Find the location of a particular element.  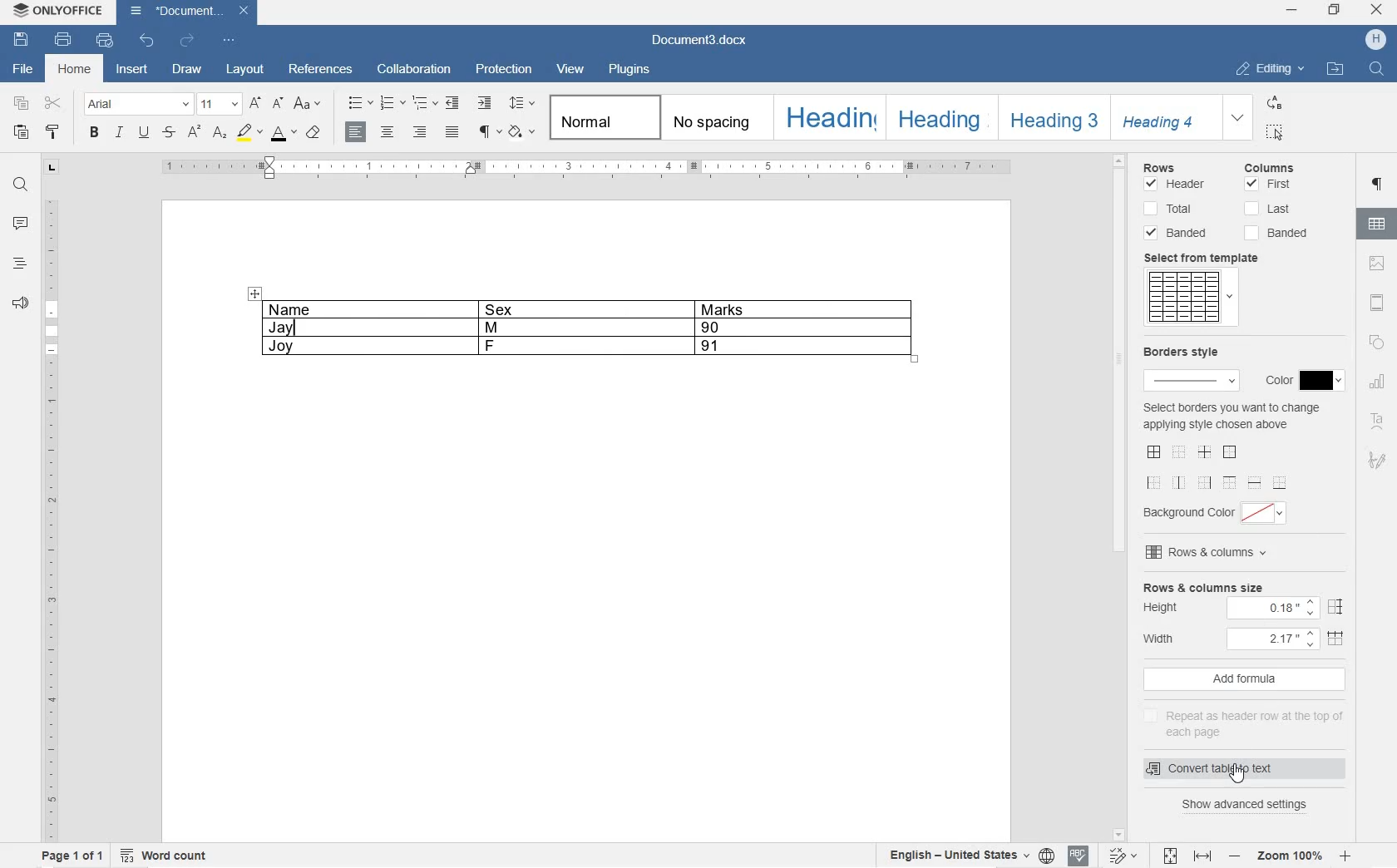

First is located at coordinates (1269, 185).